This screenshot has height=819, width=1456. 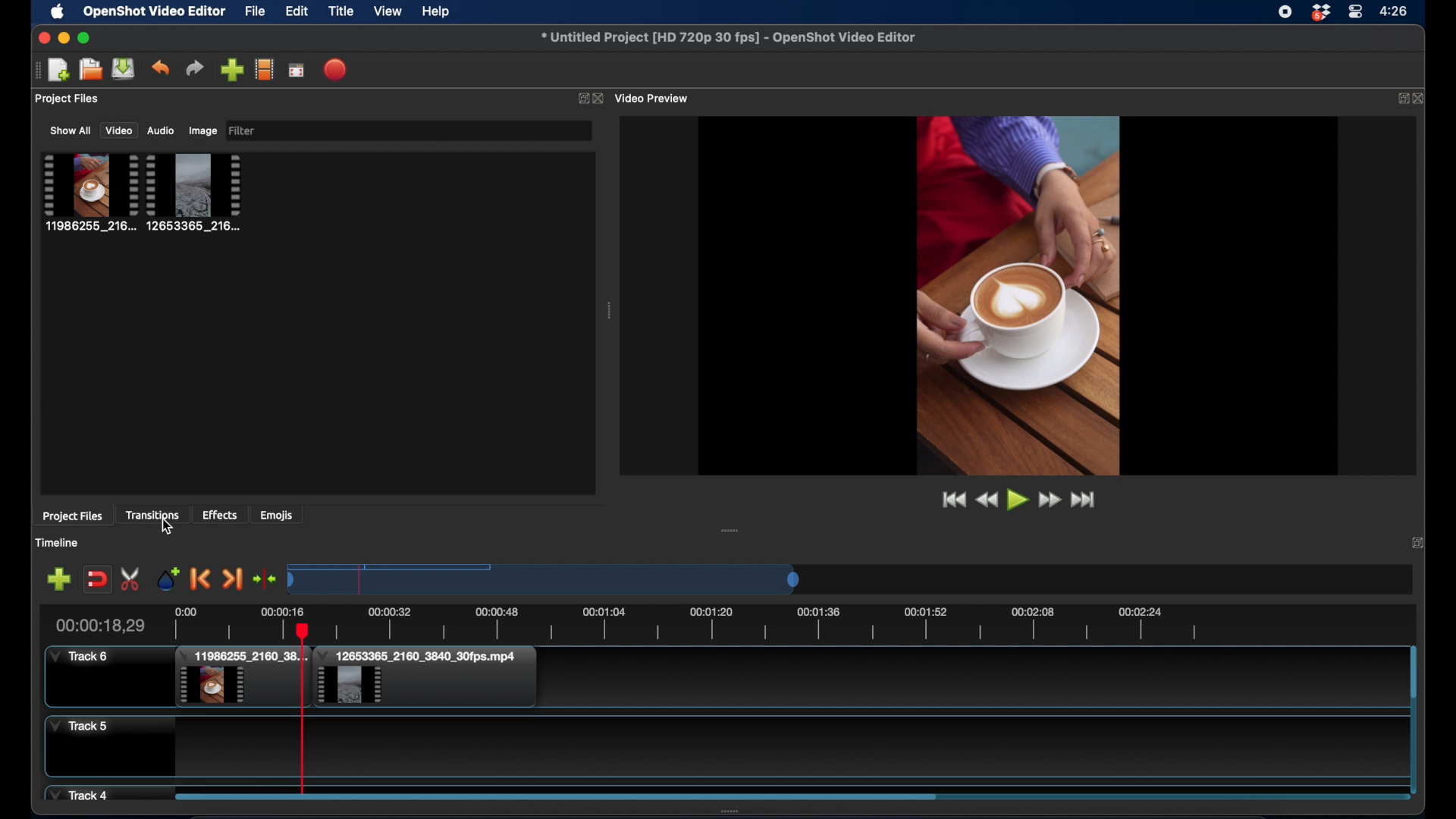 What do you see at coordinates (1018, 294) in the screenshot?
I see `video preview` at bounding box center [1018, 294].